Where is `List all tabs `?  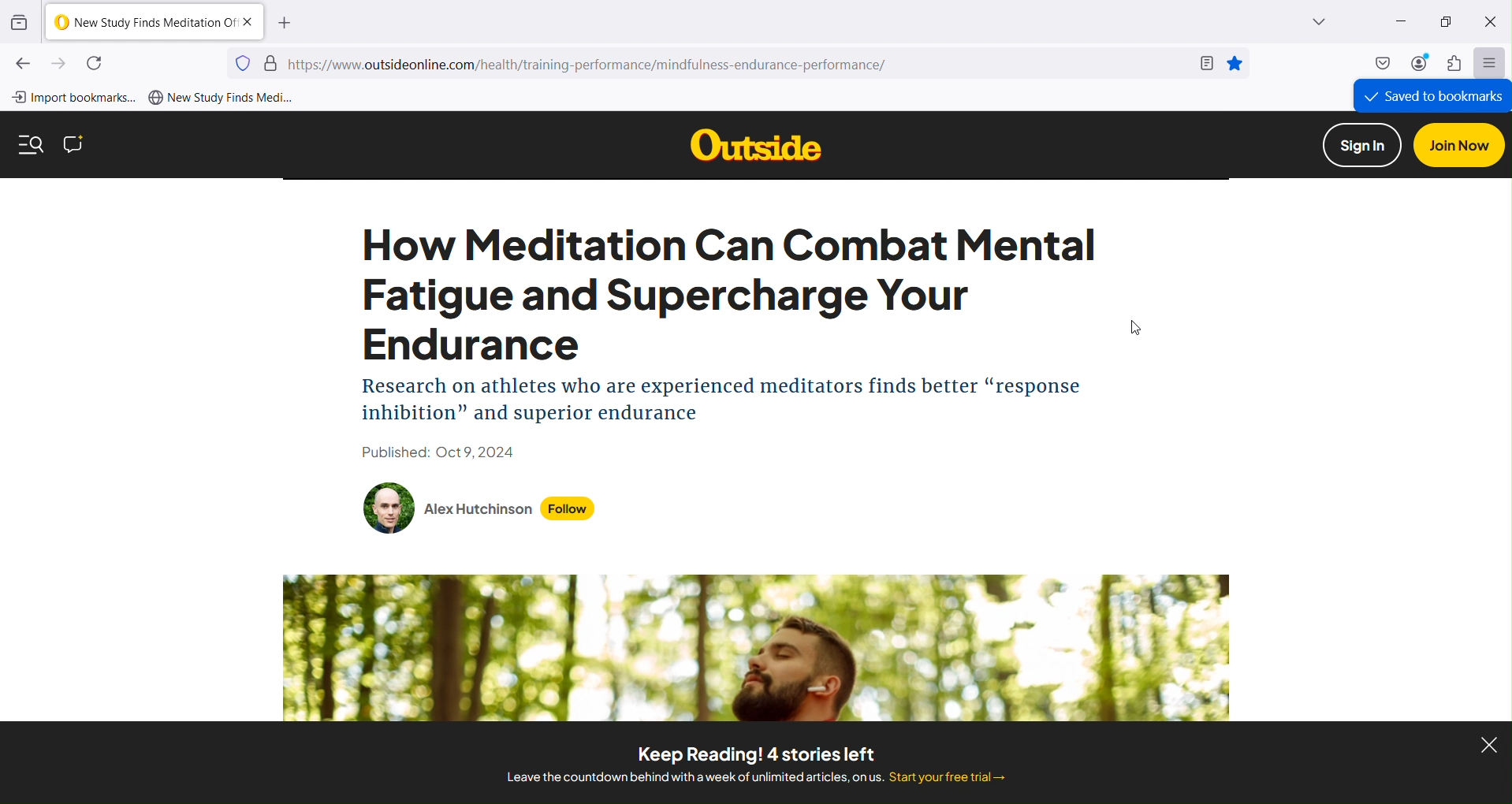 List all tabs  is located at coordinates (1298, 22).